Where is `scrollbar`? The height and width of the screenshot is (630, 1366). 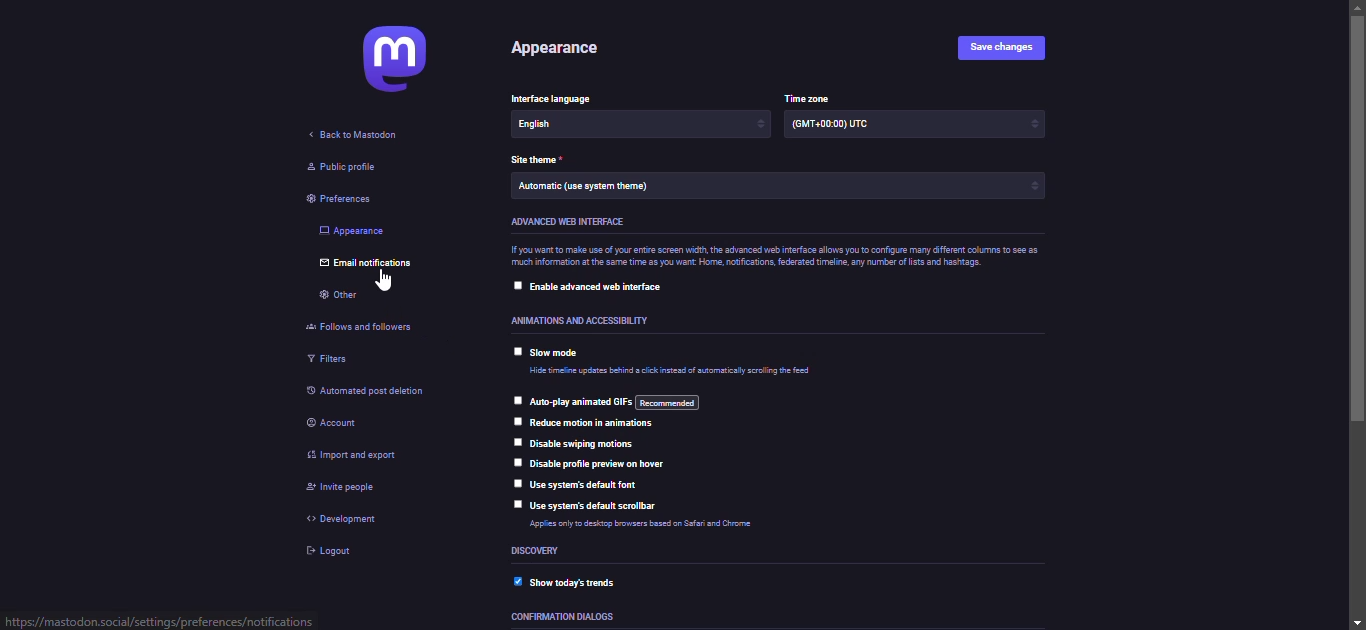
scrollbar is located at coordinates (1360, 313).